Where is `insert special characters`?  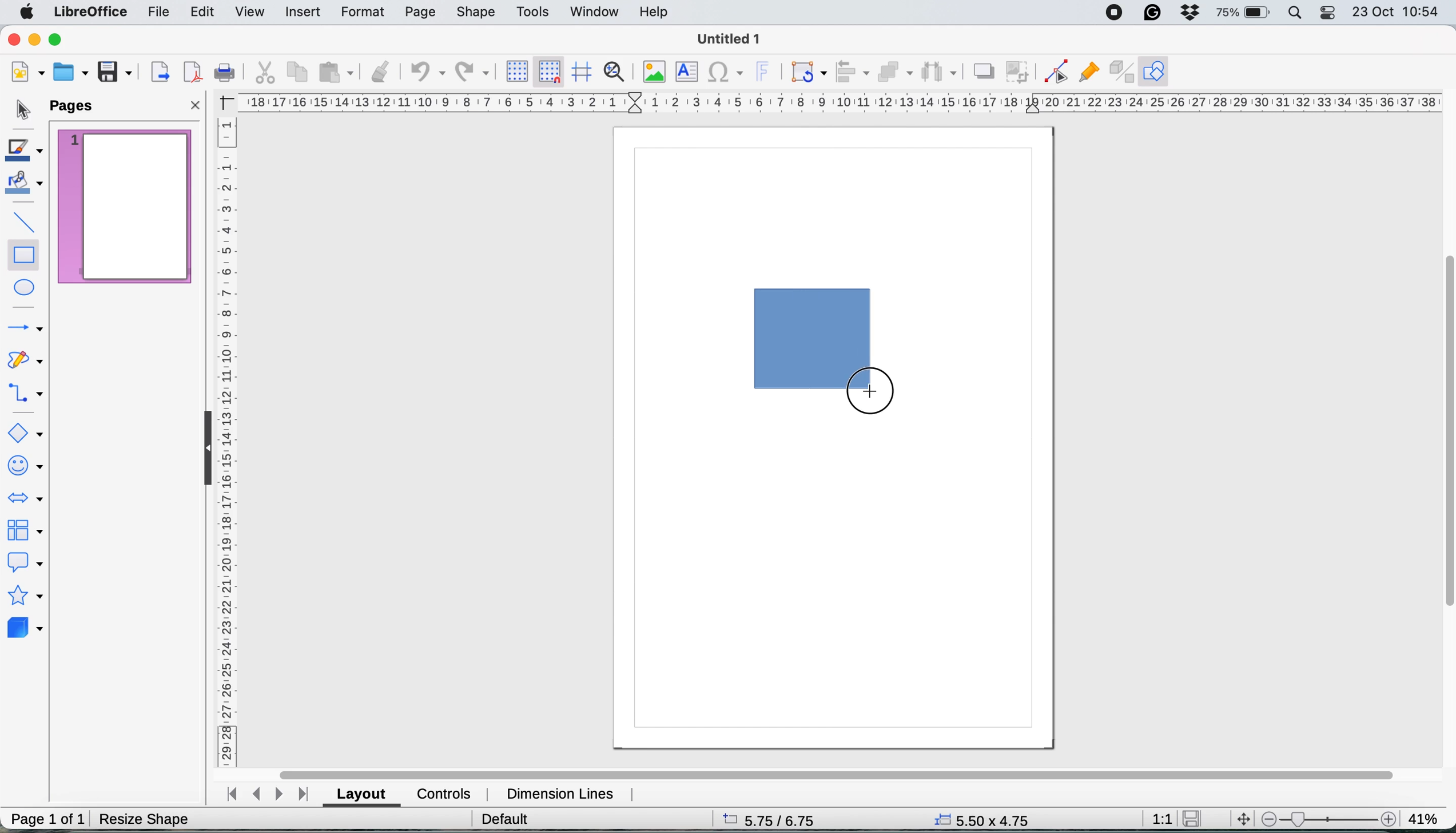 insert special characters is located at coordinates (726, 74).